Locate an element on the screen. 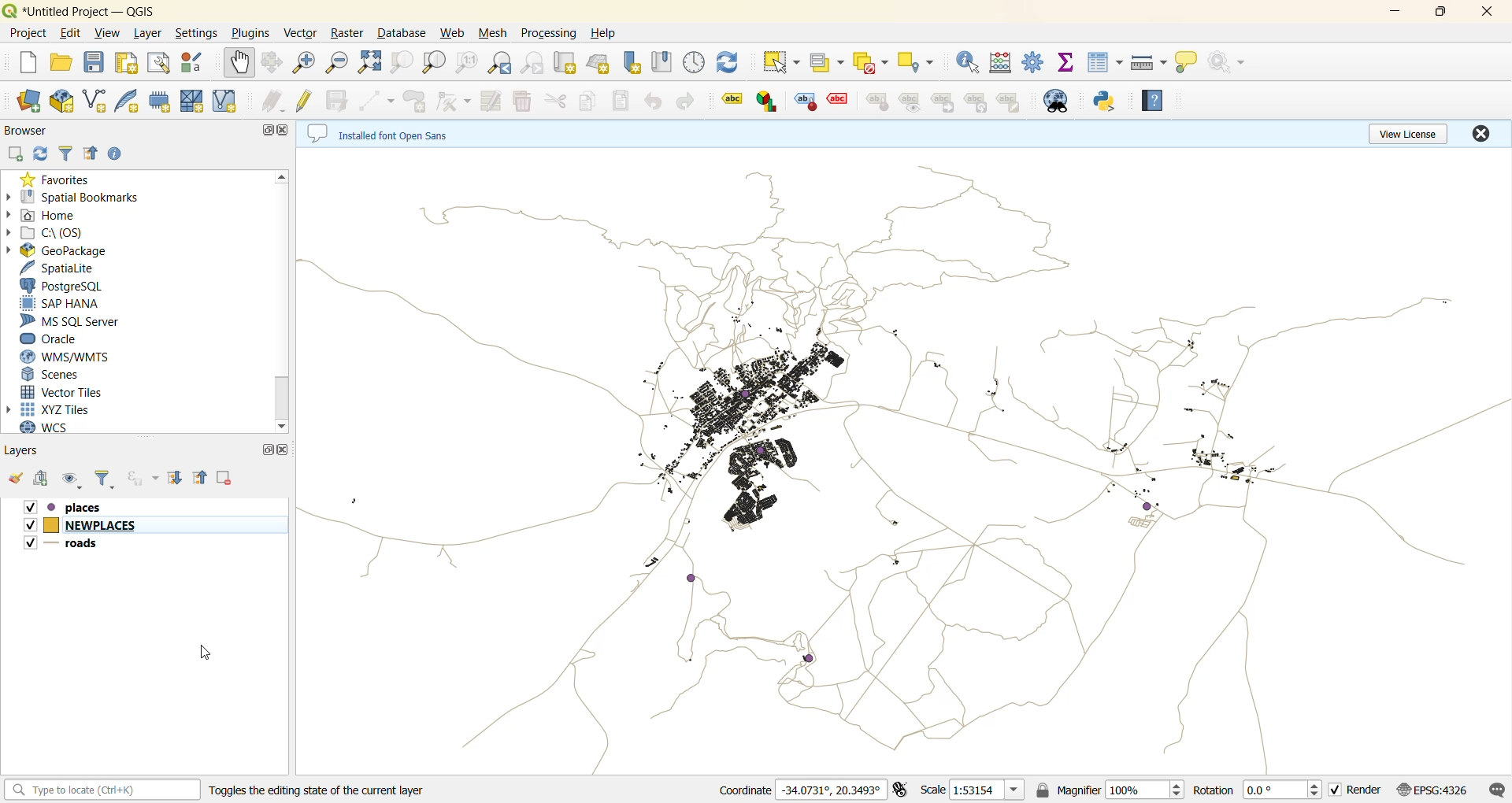 The height and width of the screenshot is (803, 1512). preview is located at coordinates (911, 102).